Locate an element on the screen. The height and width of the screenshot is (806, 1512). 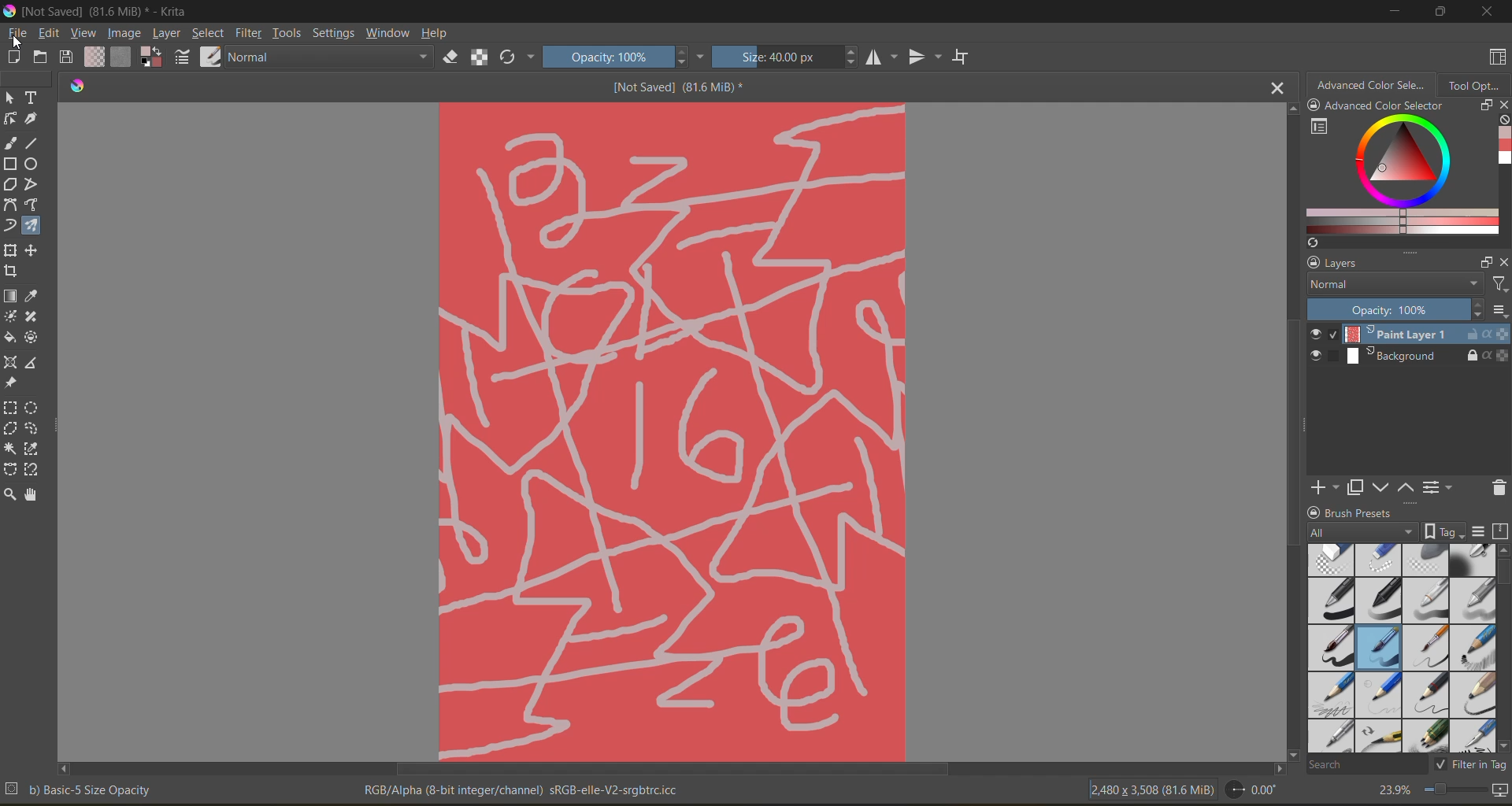
tool is located at coordinates (35, 205).